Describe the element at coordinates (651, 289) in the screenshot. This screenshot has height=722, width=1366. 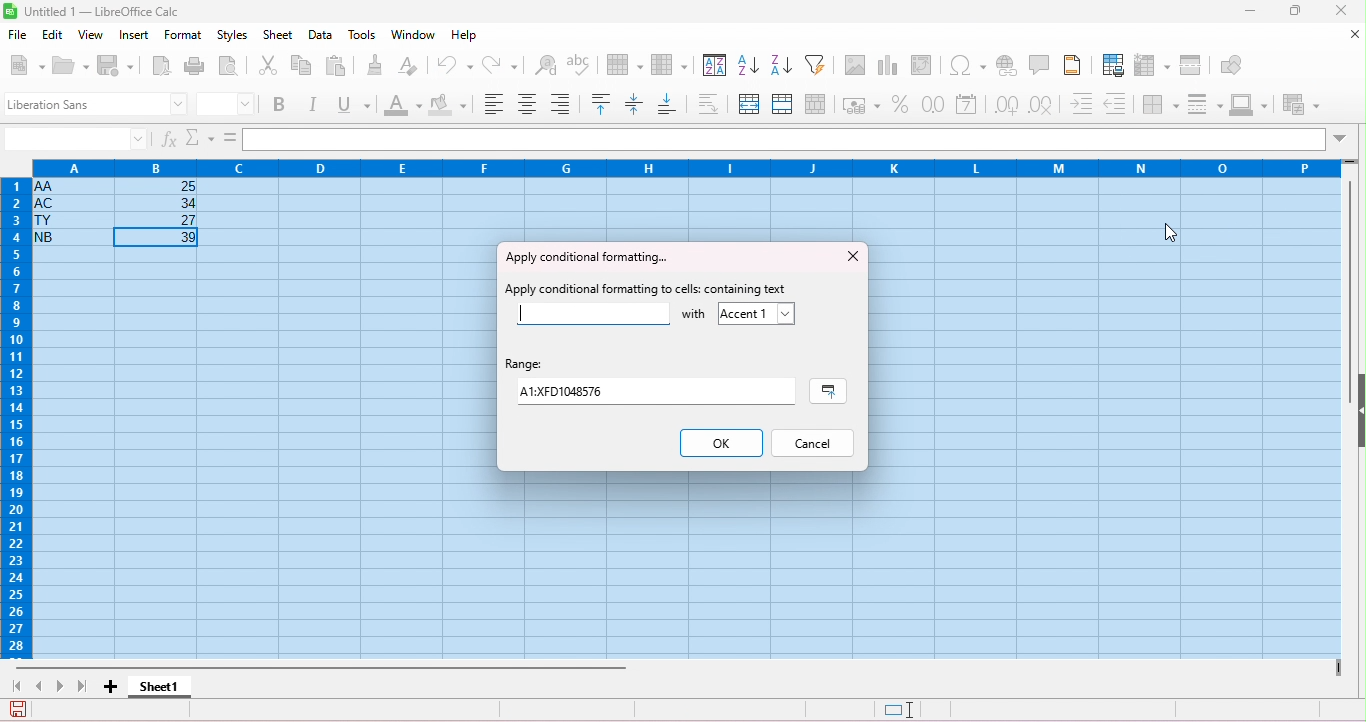
I see `apply conditional formatting to cells containing text` at that location.